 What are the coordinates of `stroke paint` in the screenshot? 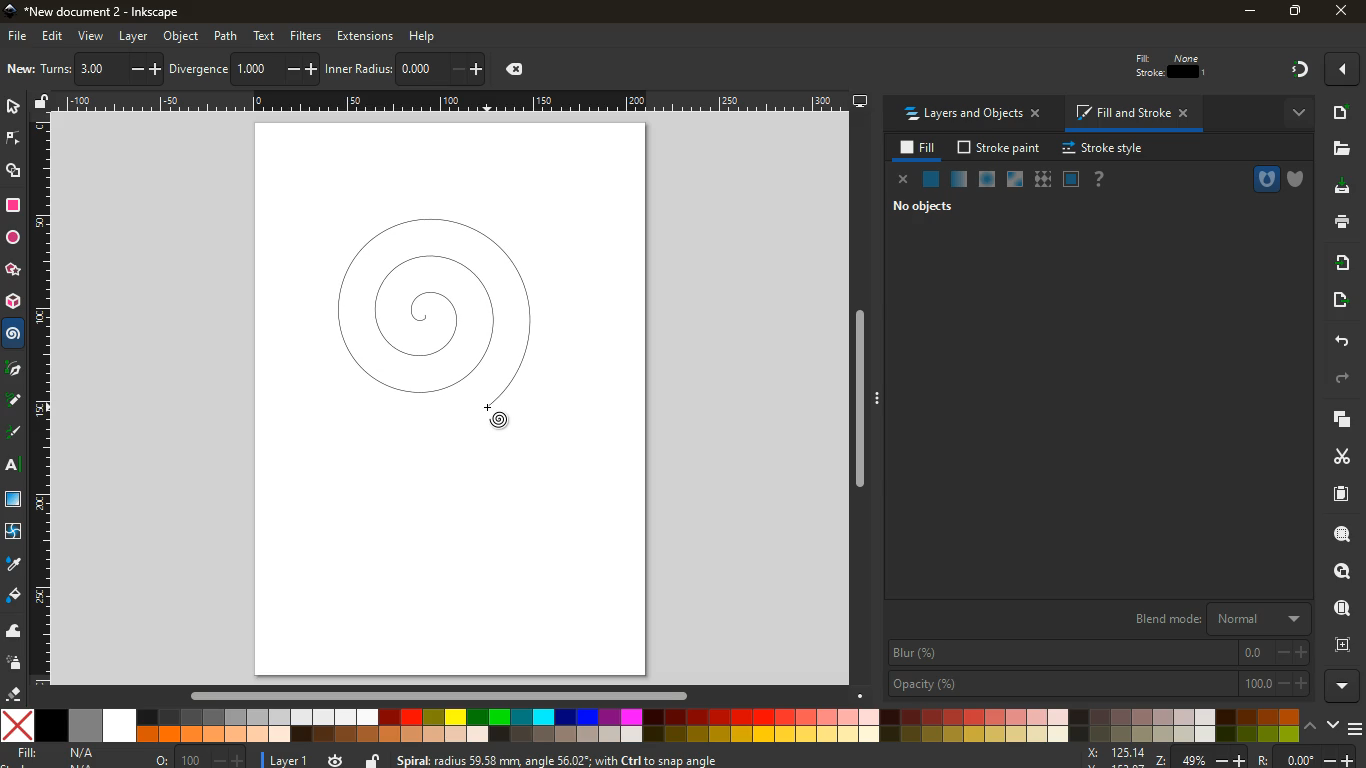 It's located at (1000, 148).